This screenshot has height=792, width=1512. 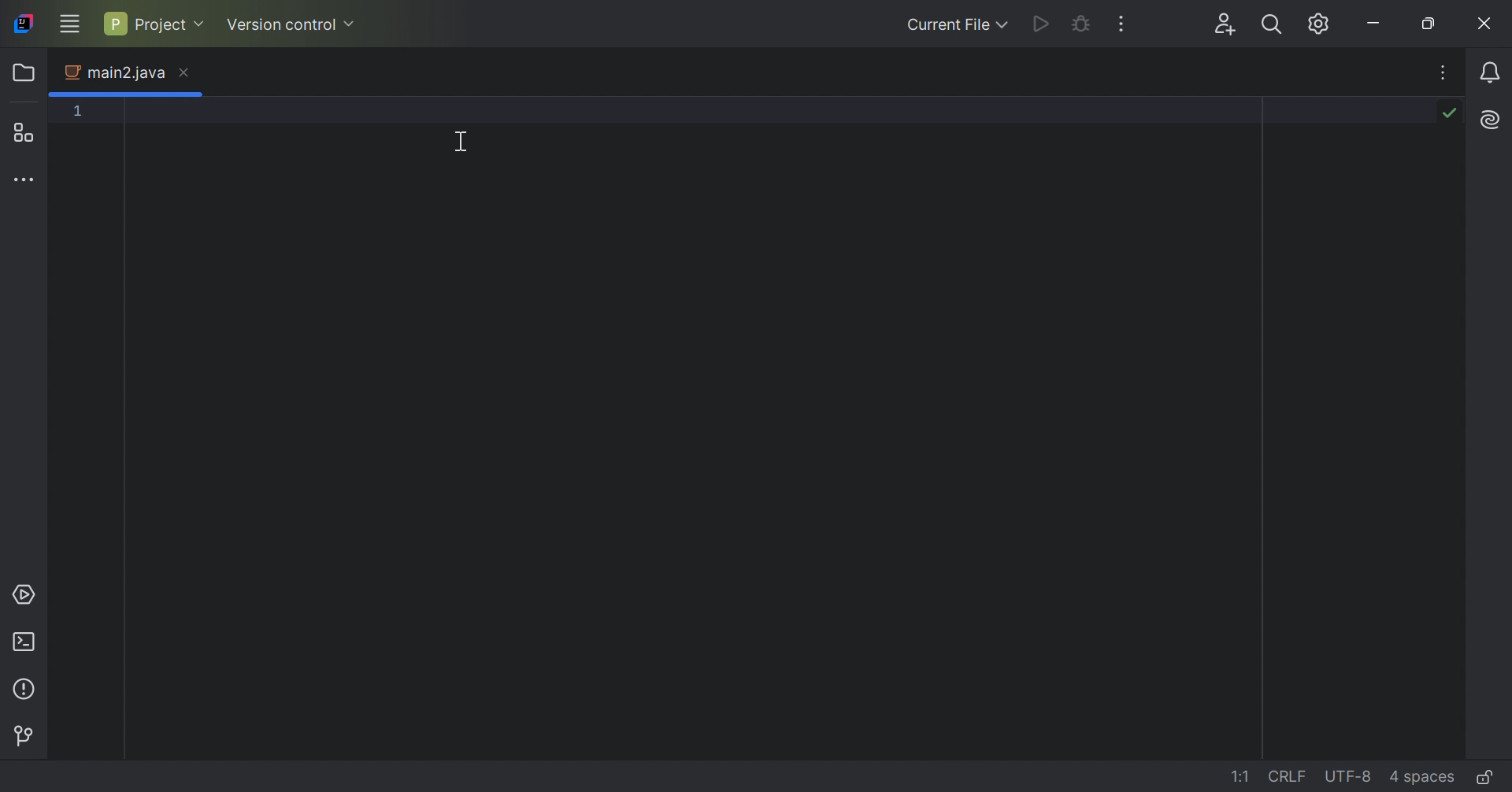 What do you see at coordinates (1227, 25) in the screenshot?
I see `Code with me` at bounding box center [1227, 25].